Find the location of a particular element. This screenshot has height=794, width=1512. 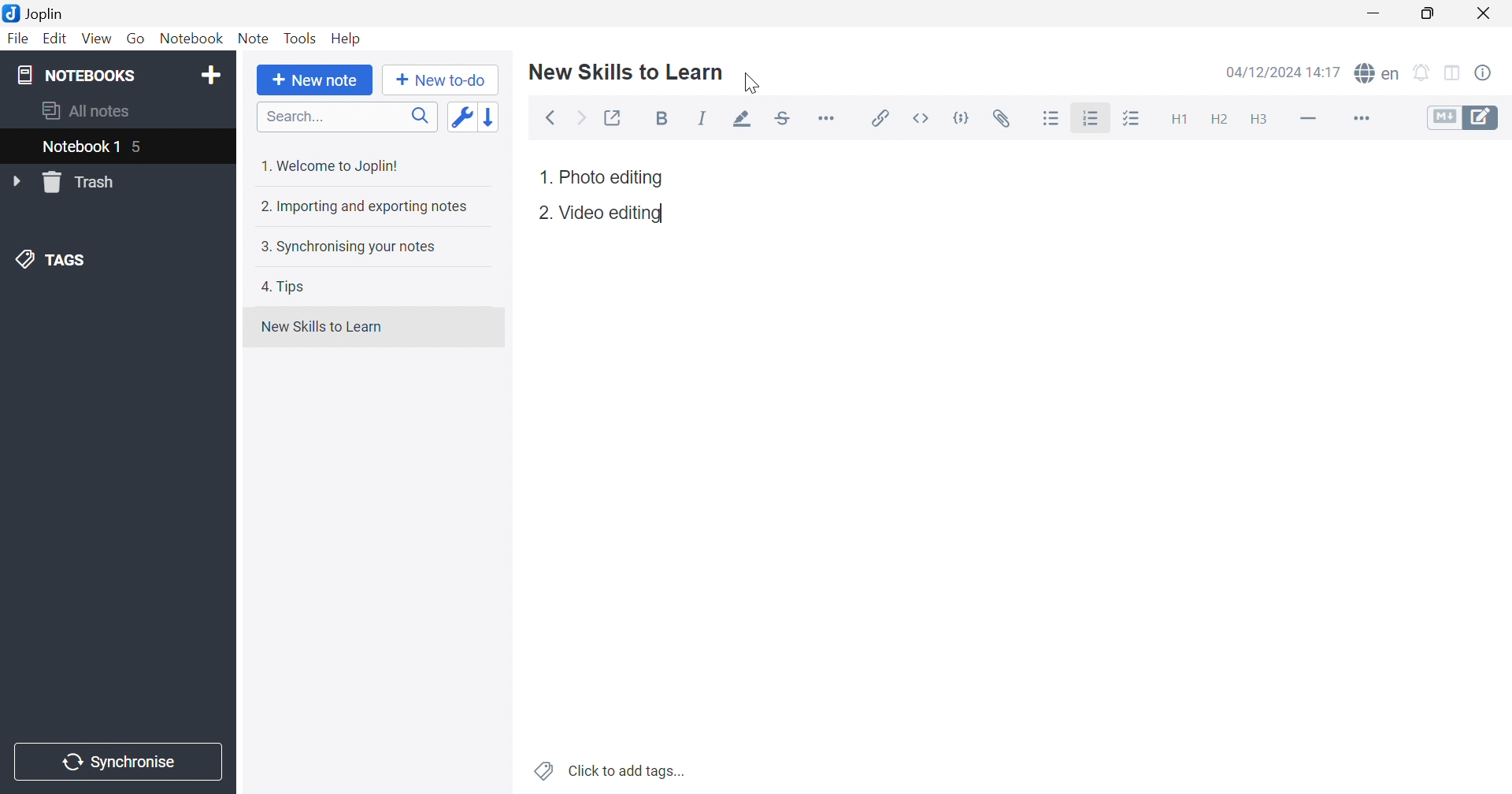

Toggl external editing is located at coordinates (614, 118).